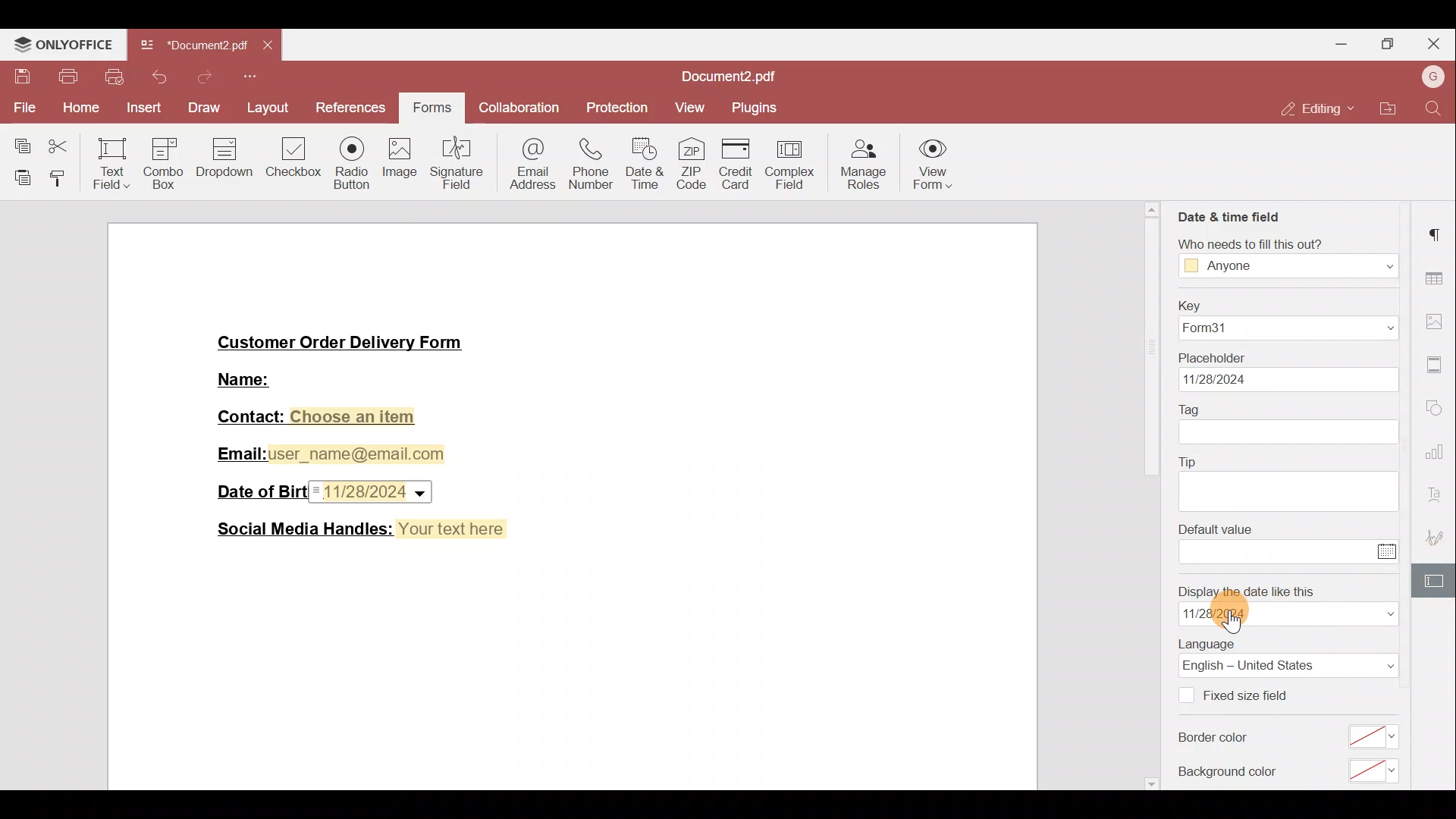  Describe the element at coordinates (1313, 108) in the screenshot. I see `Editing mode` at that location.